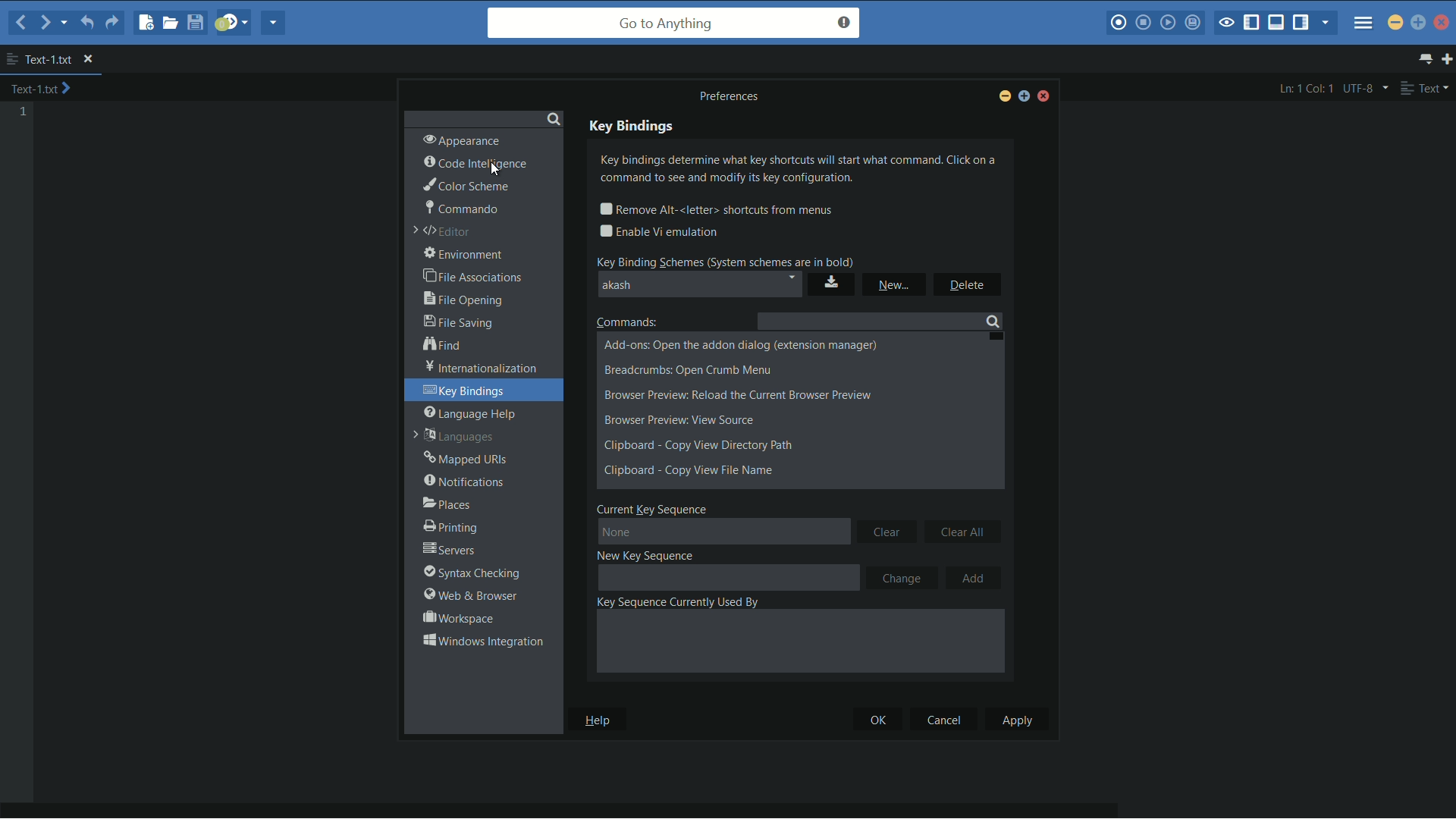  I want to click on cursor, so click(494, 168).